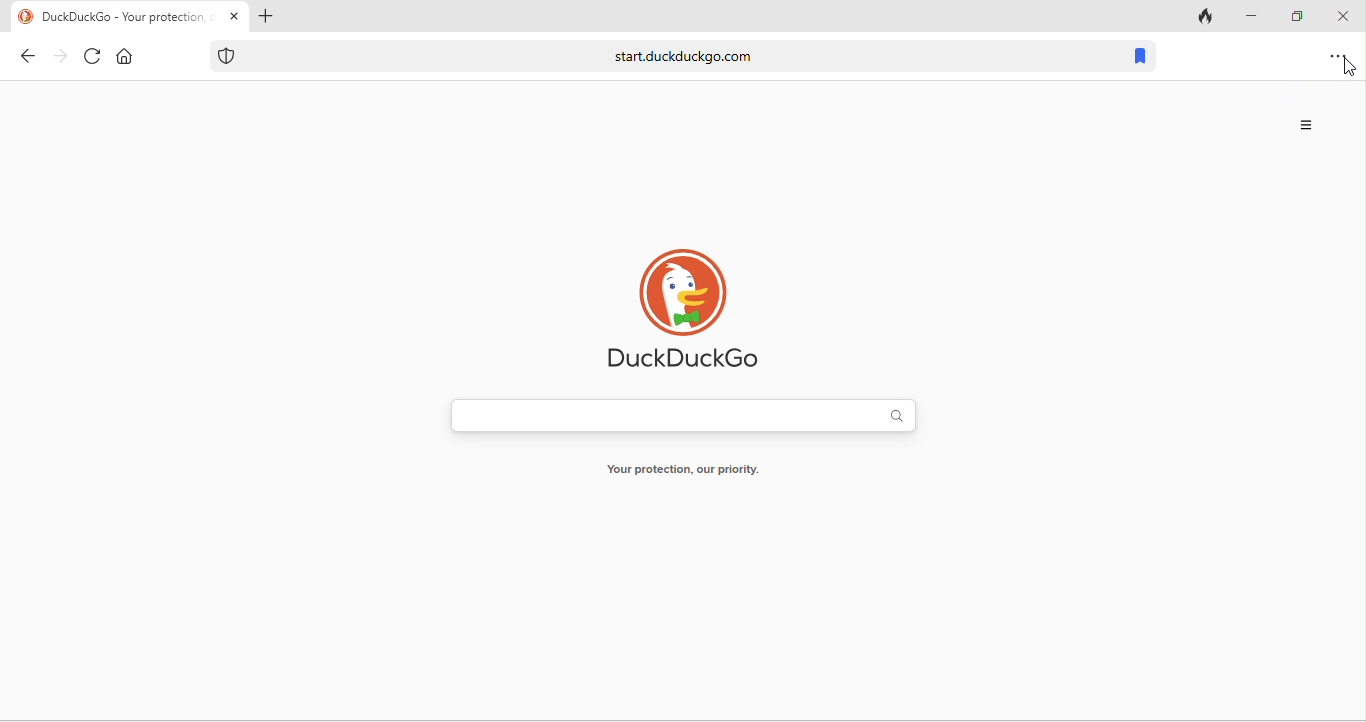 The image size is (1366, 722). What do you see at coordinates (685, 415) in the screenshot?
I see `search bar` at bounding box center [685, 415].